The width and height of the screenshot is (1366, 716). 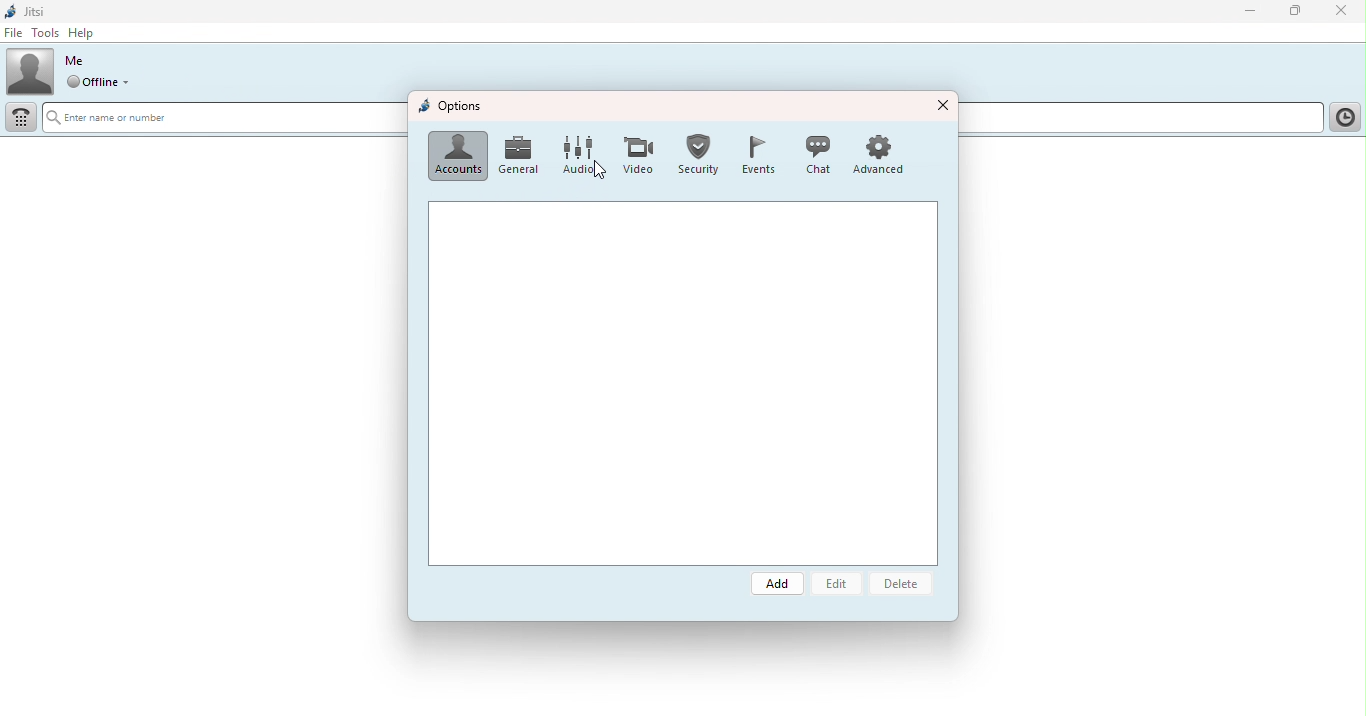 I want to click on Set global status, so click(x=102, y=82).